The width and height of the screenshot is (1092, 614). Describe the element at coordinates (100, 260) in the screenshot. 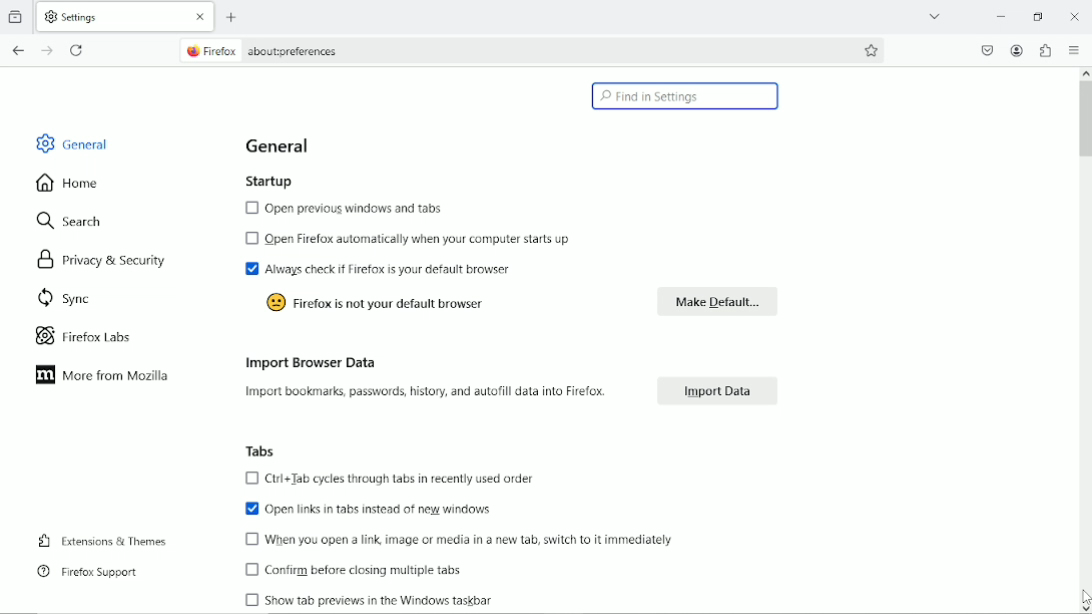

I see `Privacy & Security` at that location.